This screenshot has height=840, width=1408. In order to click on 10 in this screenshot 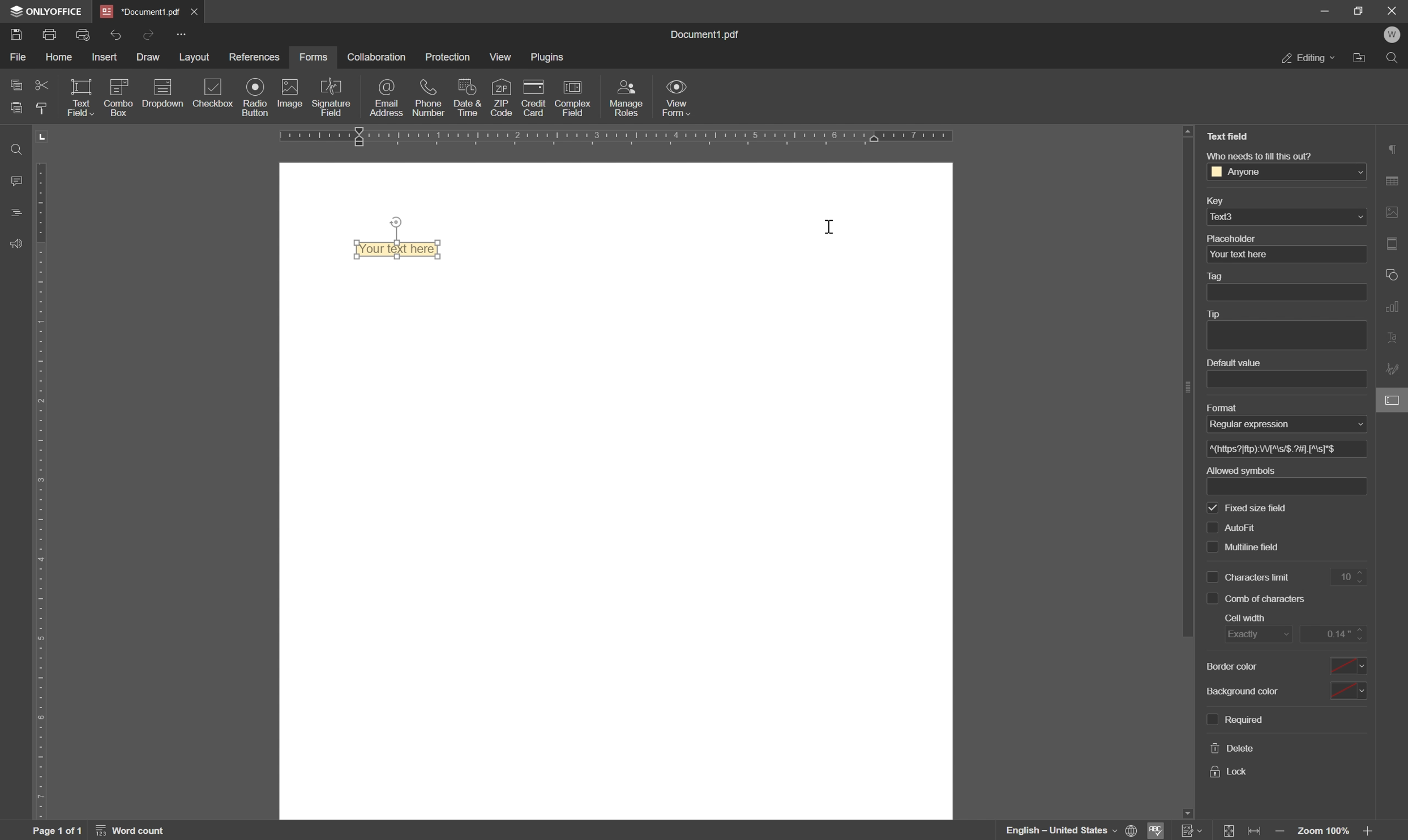, I will do `click(1352, 577)`.